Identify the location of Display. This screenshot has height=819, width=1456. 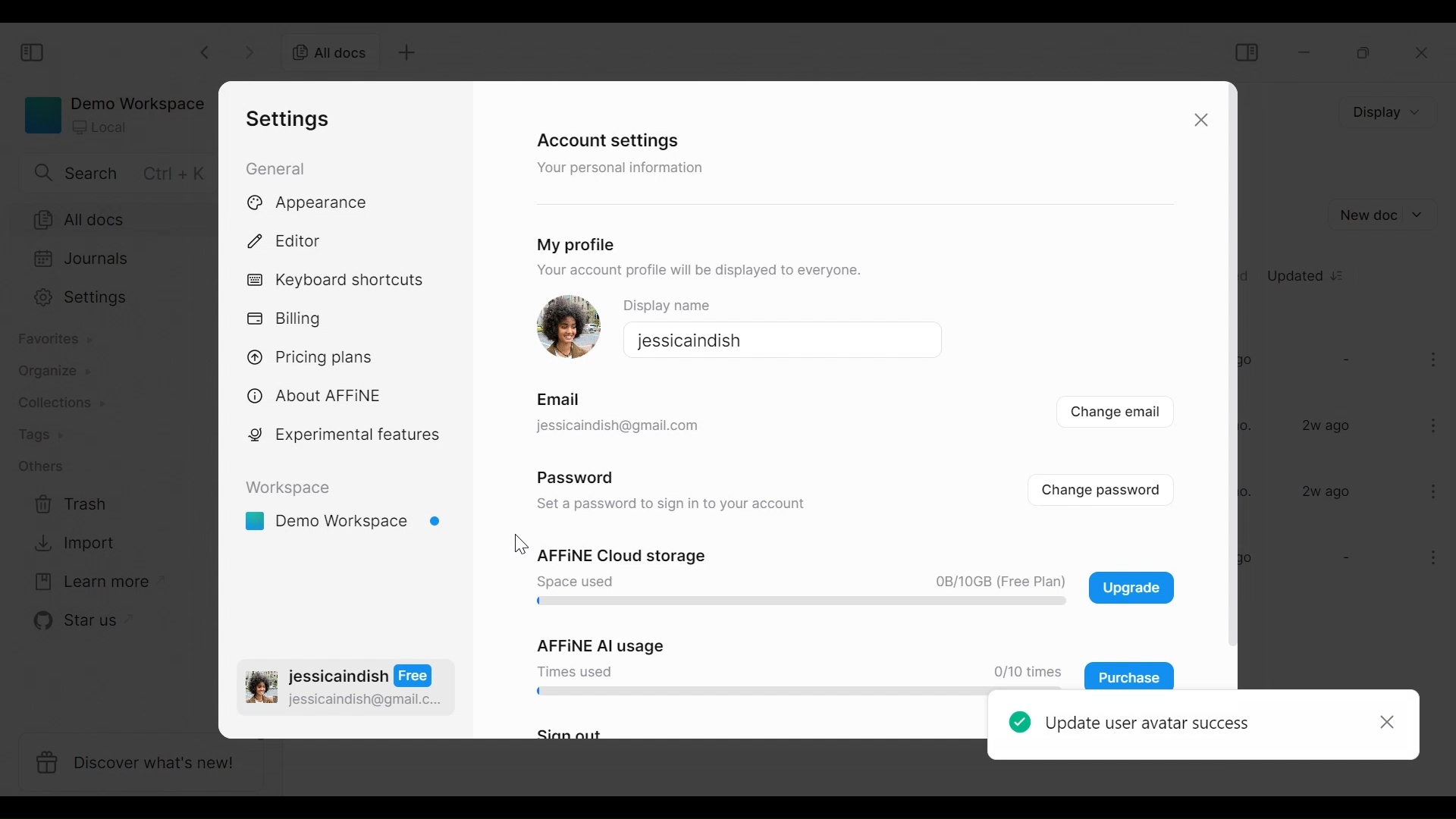
(1384, 112).